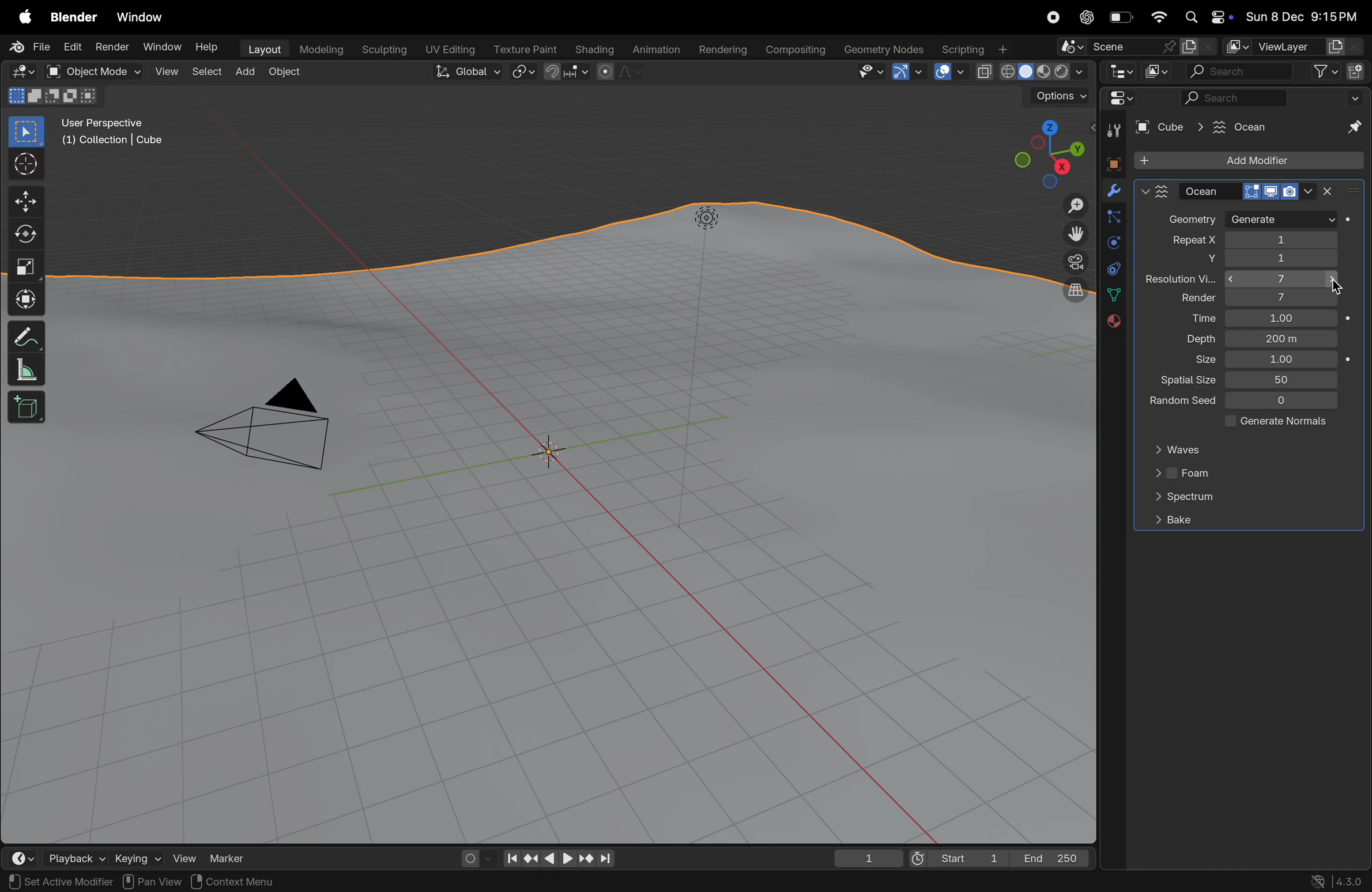 This screenshot has width=1372, height=892. What do you see at coordinates (472, 856) in the screenshot?
I see `auto keying` at bounding box center [472, 856].